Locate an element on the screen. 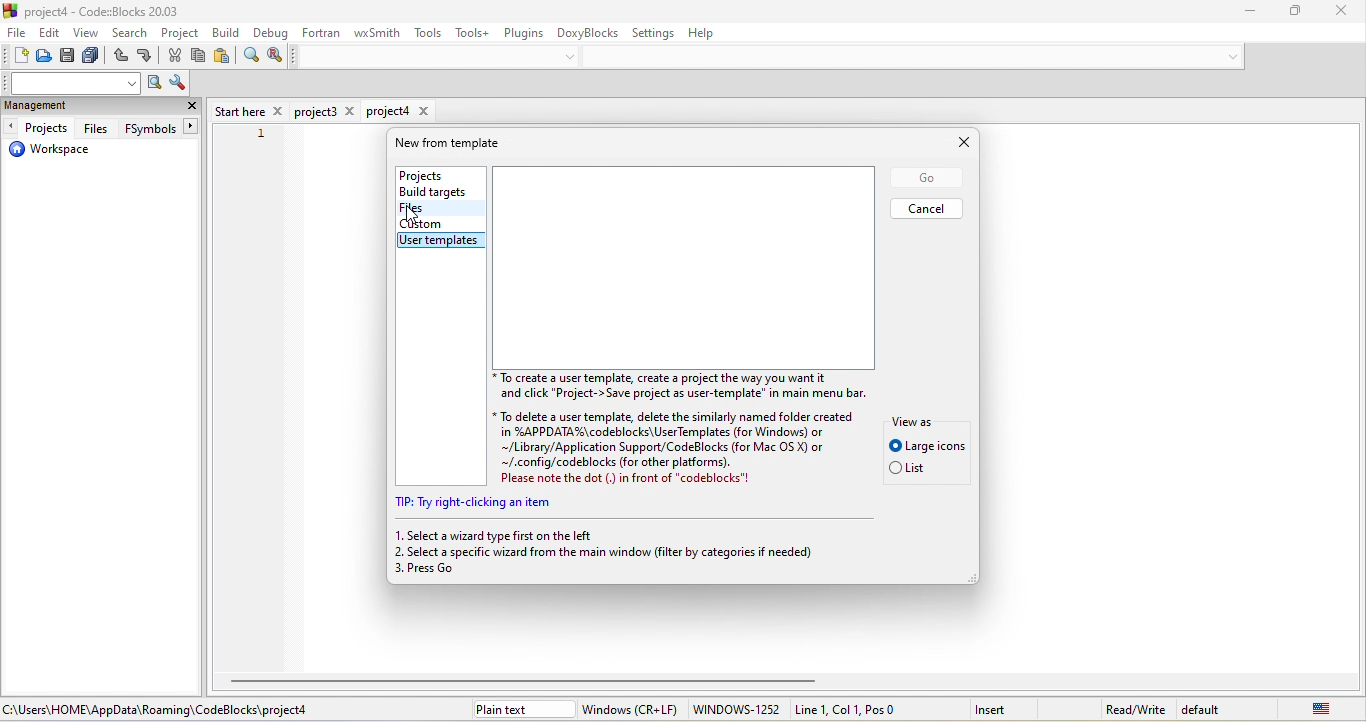 This screenshot has width=1366, height=722. plain text is located at coordinates (521, 709).